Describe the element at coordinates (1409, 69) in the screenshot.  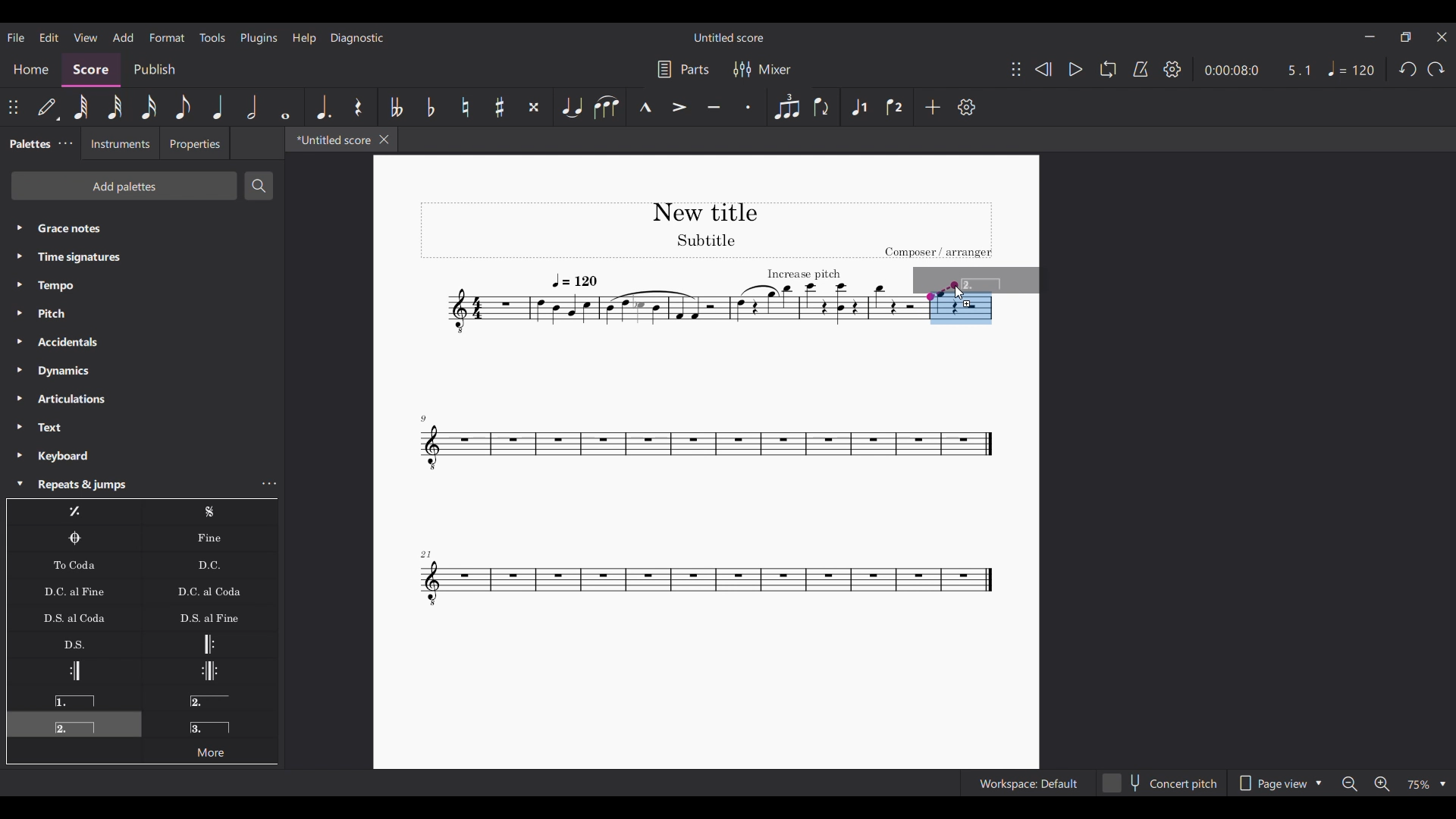
I see `Undo` at that location.